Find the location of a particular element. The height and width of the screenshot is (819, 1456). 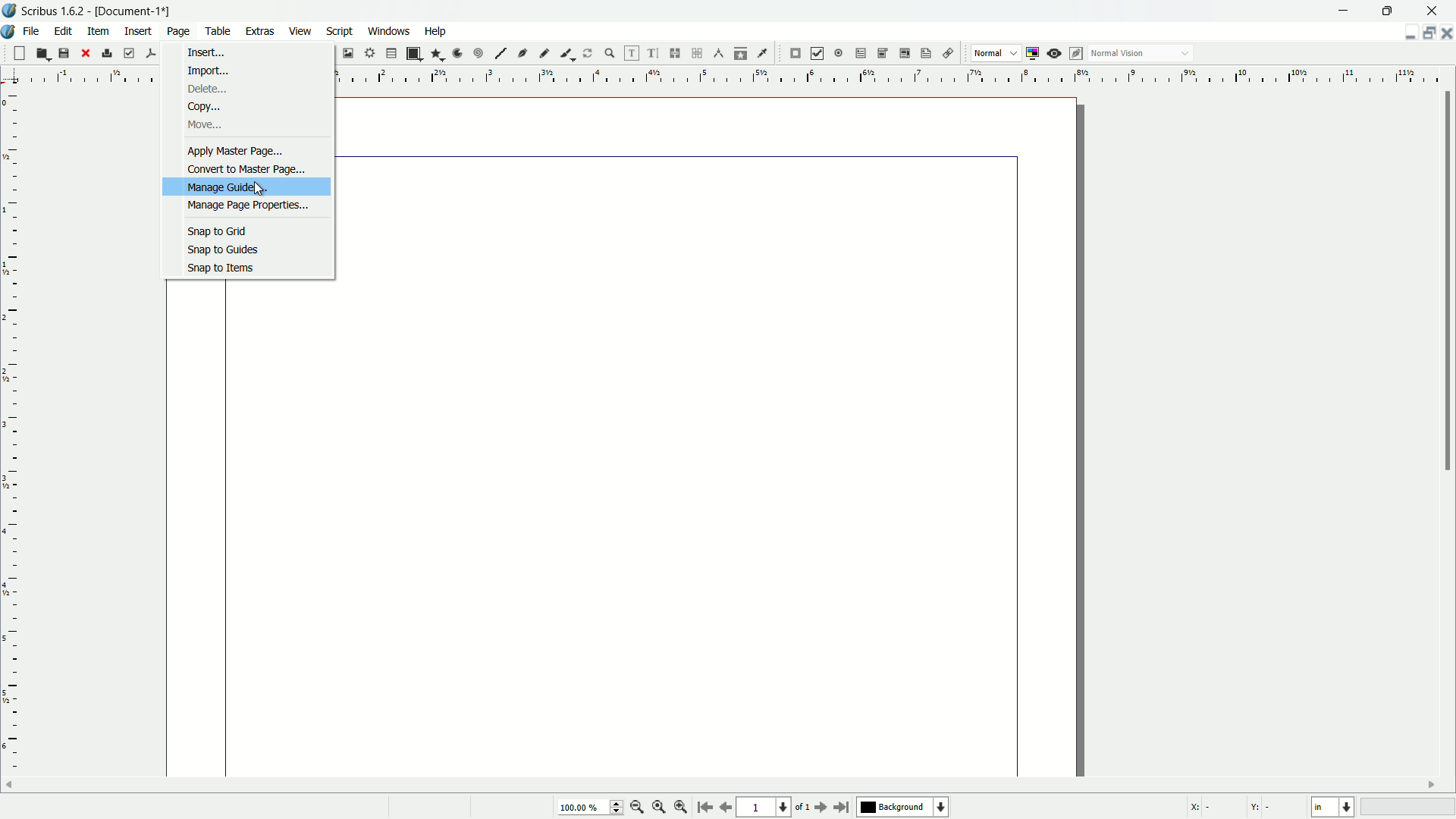

link annotation is located at coordinates (945, 54).